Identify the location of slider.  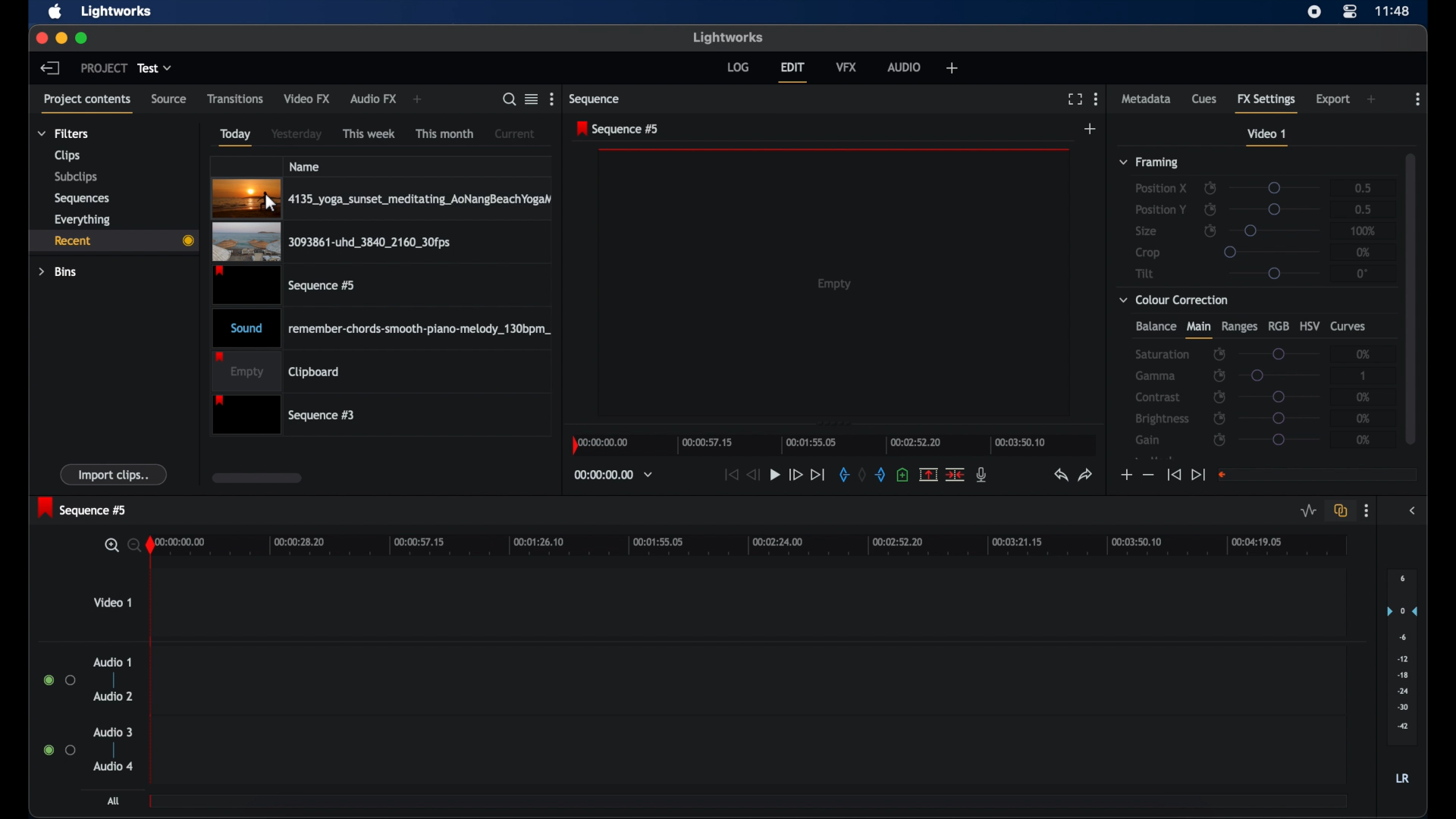
(1273, 187).